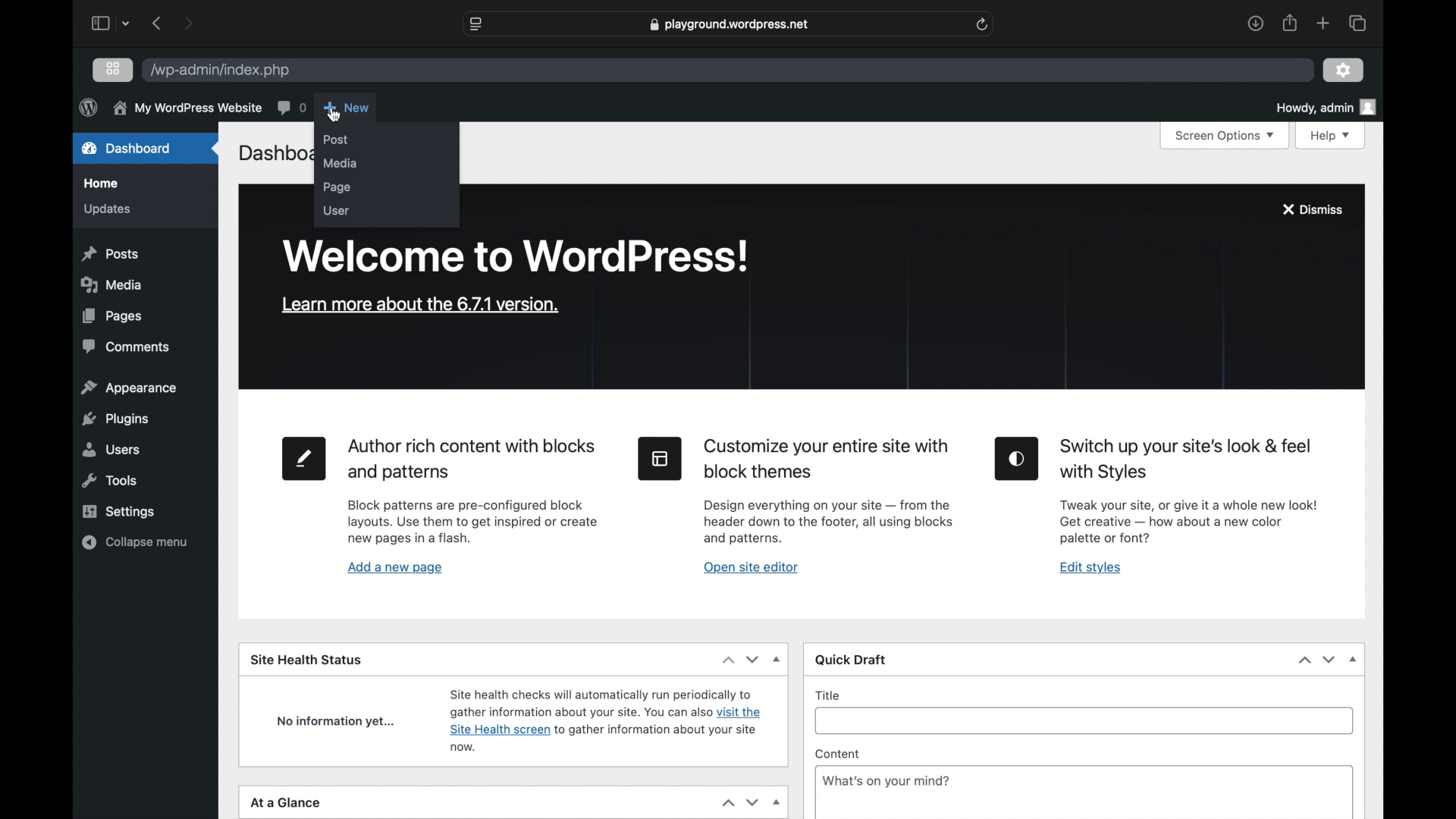 The height and width of the screenshot is (819, 1456). Describe the element at coordinates (741, 659) in the screenshot. I see `stepper buttons` at that location.